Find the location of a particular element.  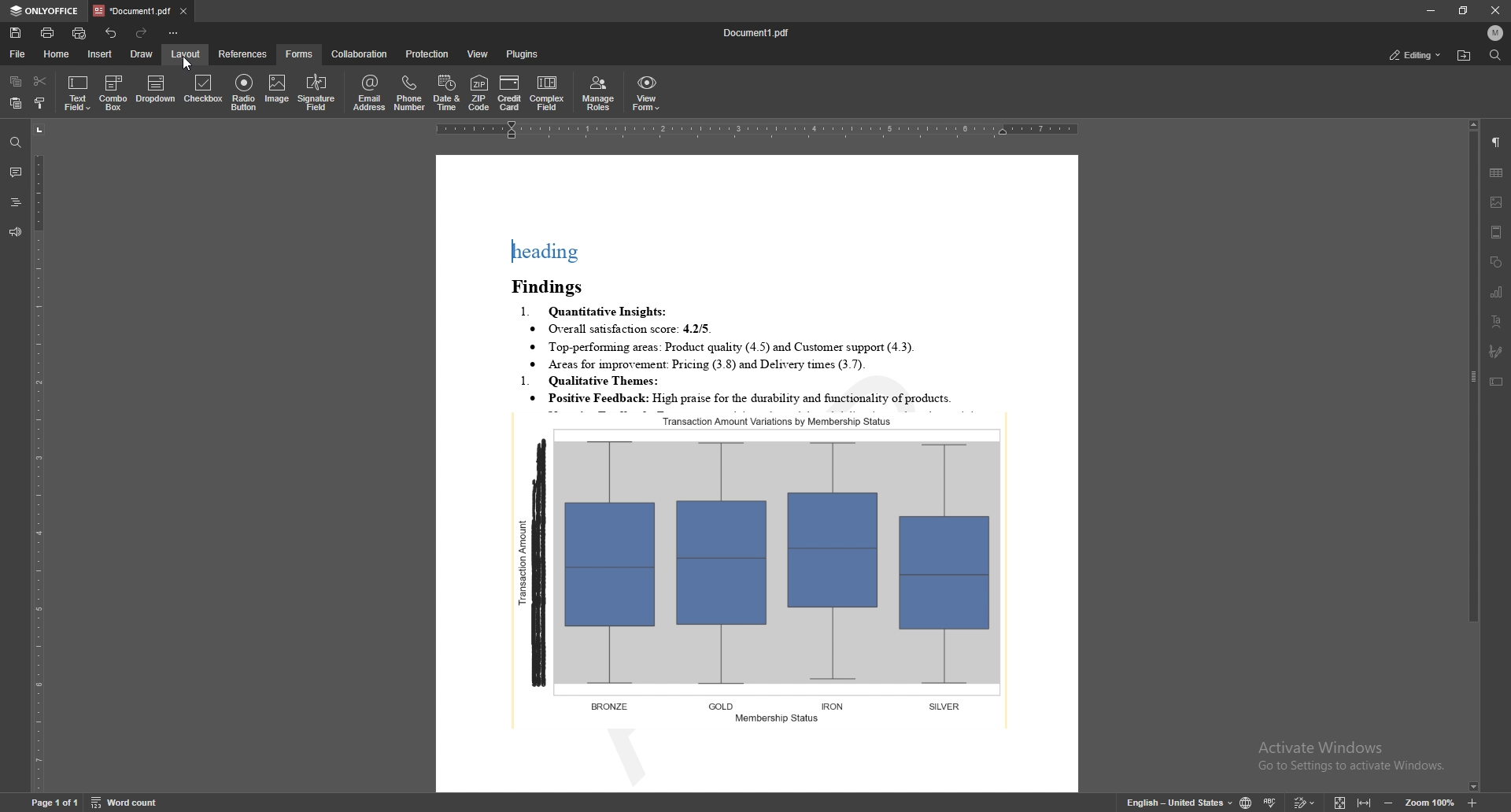

change text language is located at coordinates (1180, 800).